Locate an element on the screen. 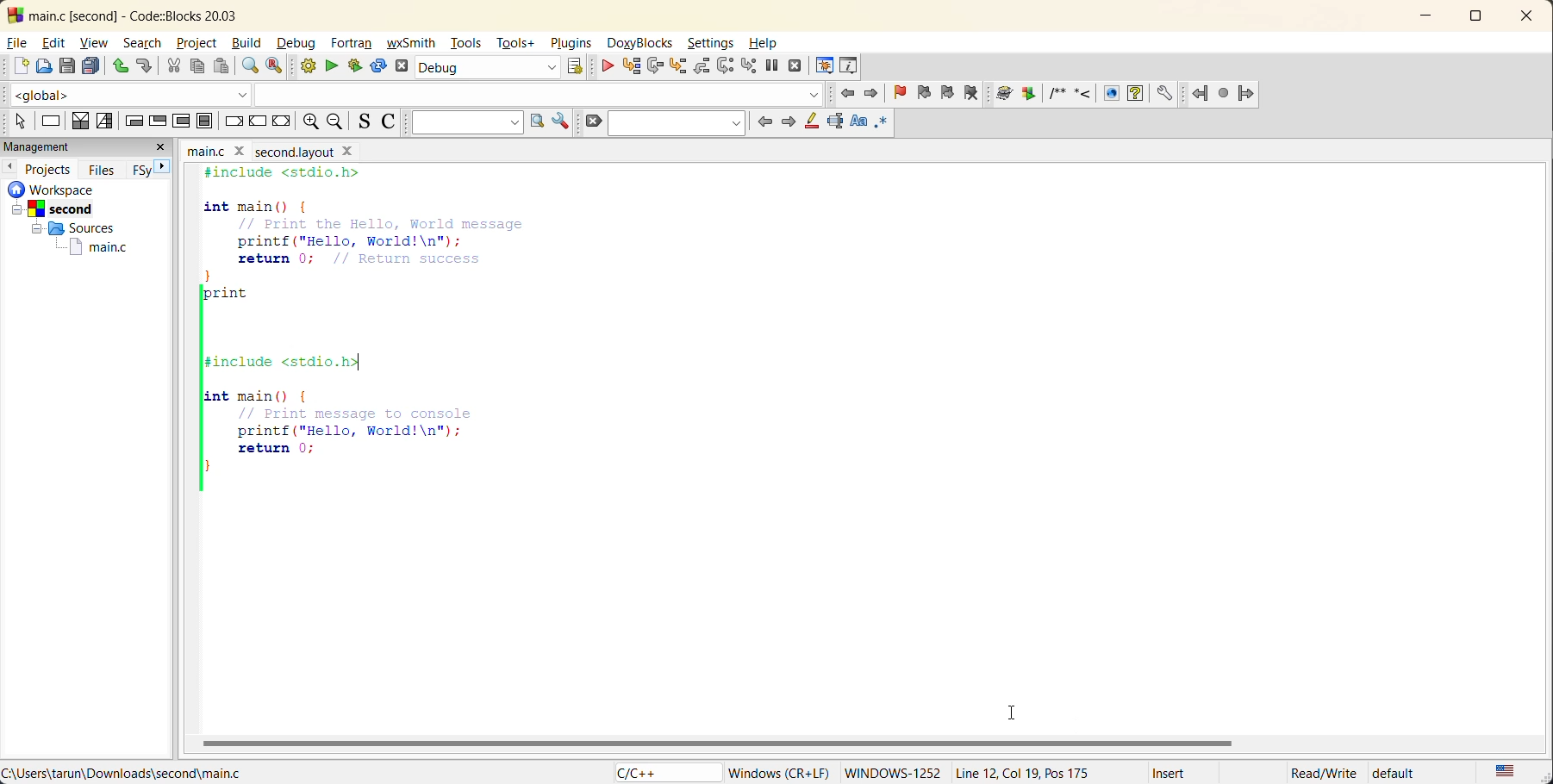 The height and width of the screenshot is (784, 1553). app name and file name is located at coordinates (169, 15).